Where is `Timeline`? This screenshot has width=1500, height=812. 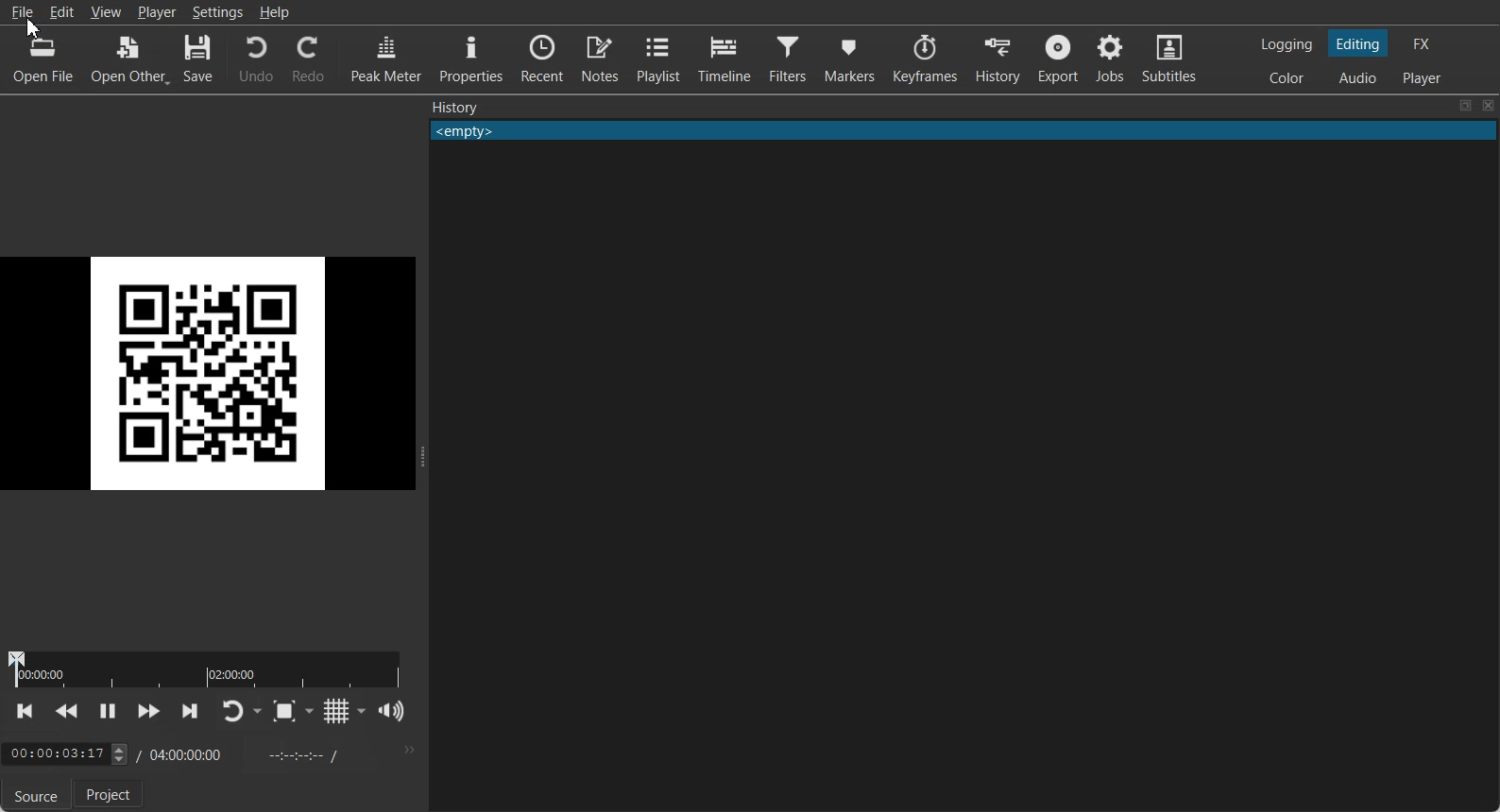 Timeline is located at coordinates (723, 56).